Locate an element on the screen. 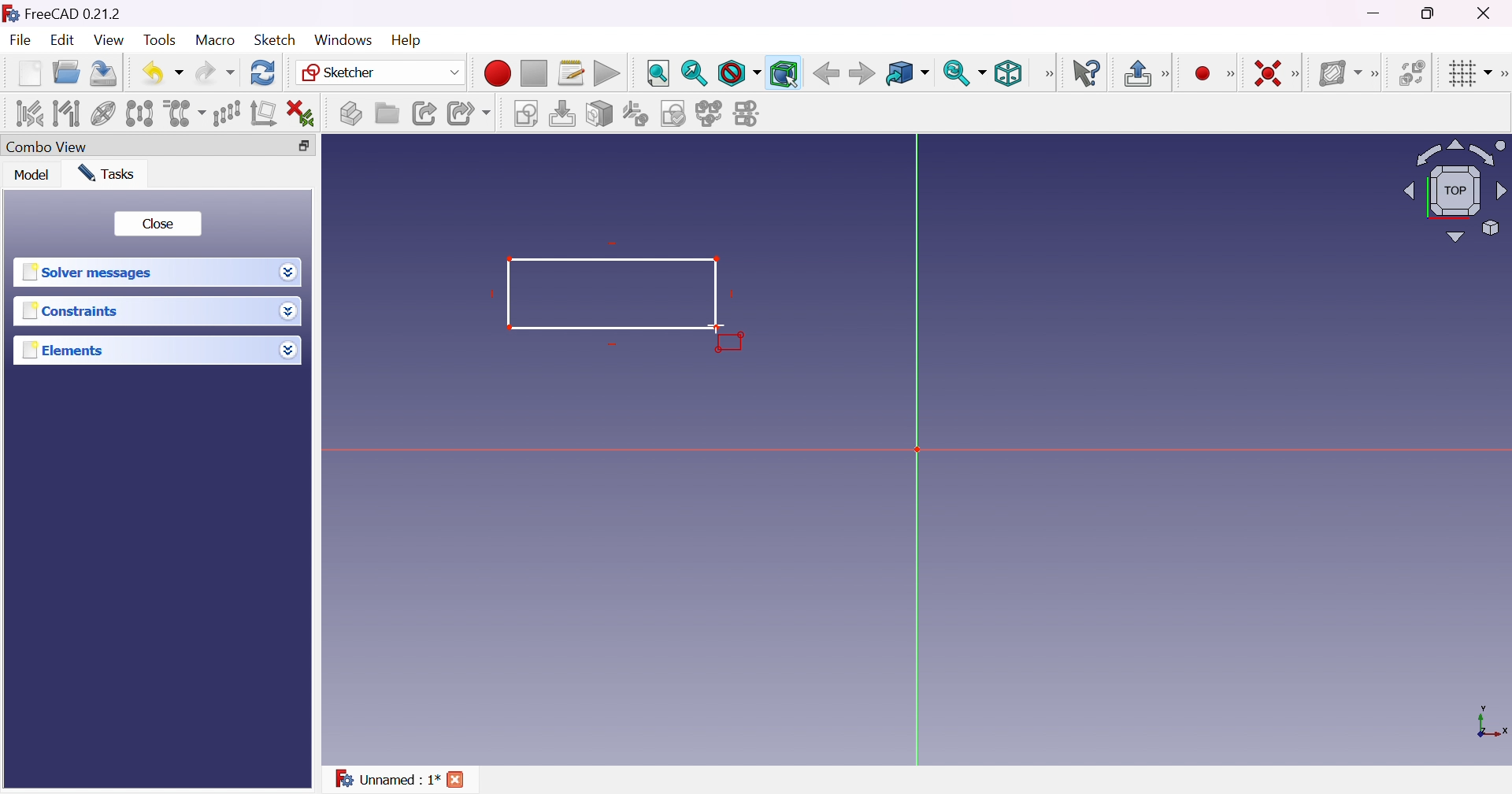 The width and height of the screenshot is (1512, 794). Unnamed : 1* is located at coordinates (386, 779).